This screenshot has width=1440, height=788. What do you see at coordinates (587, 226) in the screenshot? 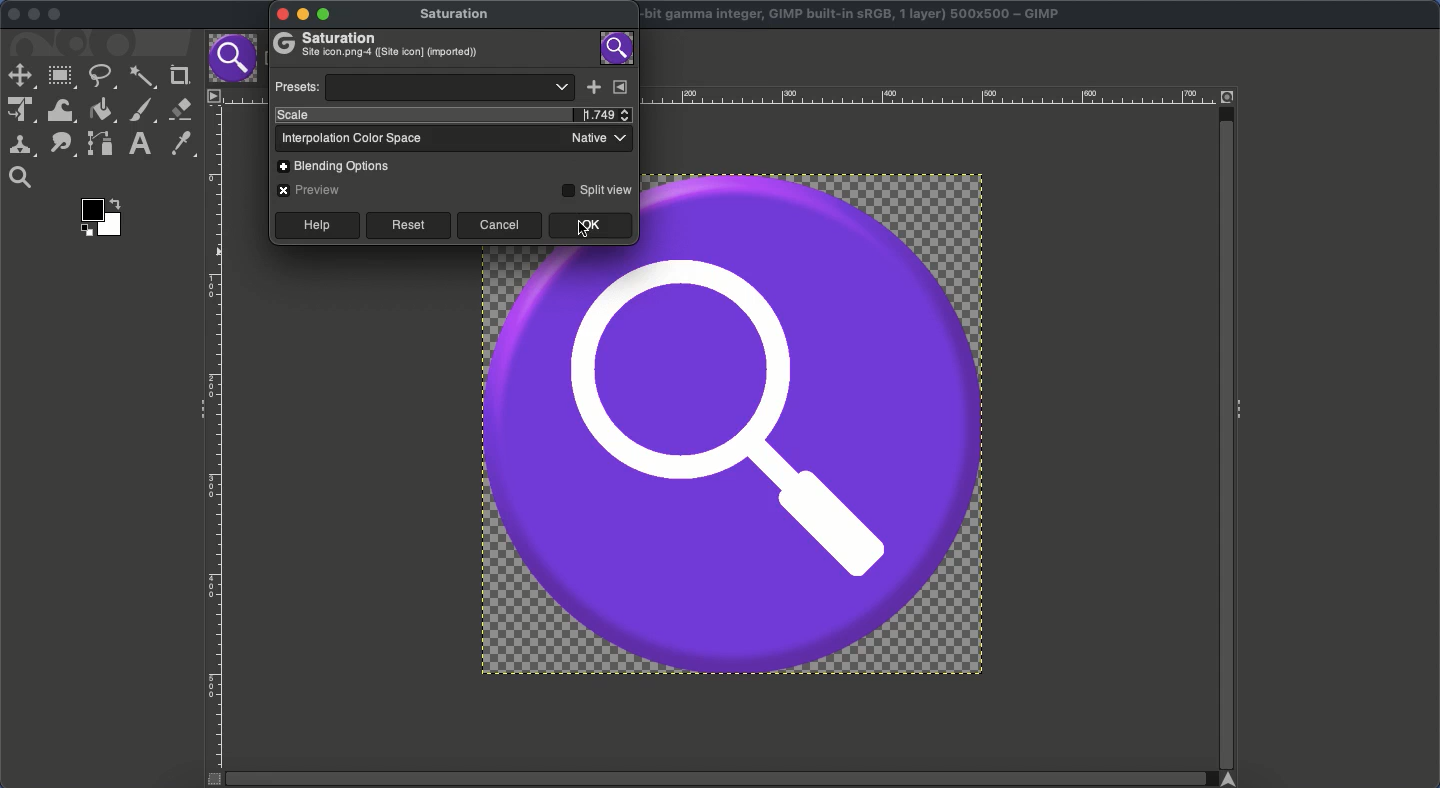
I see `Ok` at bounding box center [587, 226].